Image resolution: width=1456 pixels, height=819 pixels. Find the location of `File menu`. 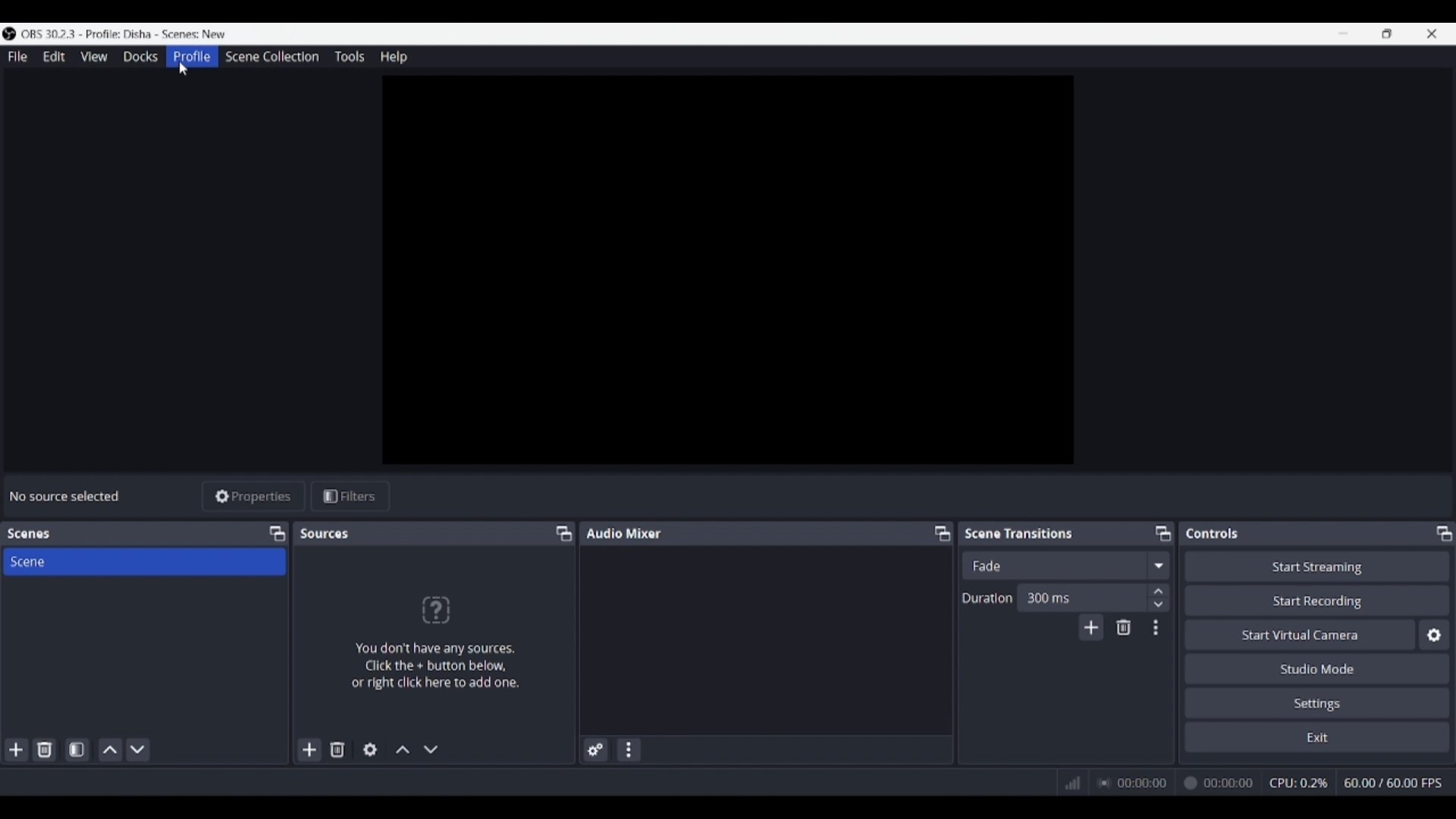

File menu is located at coordinates (17, 56).